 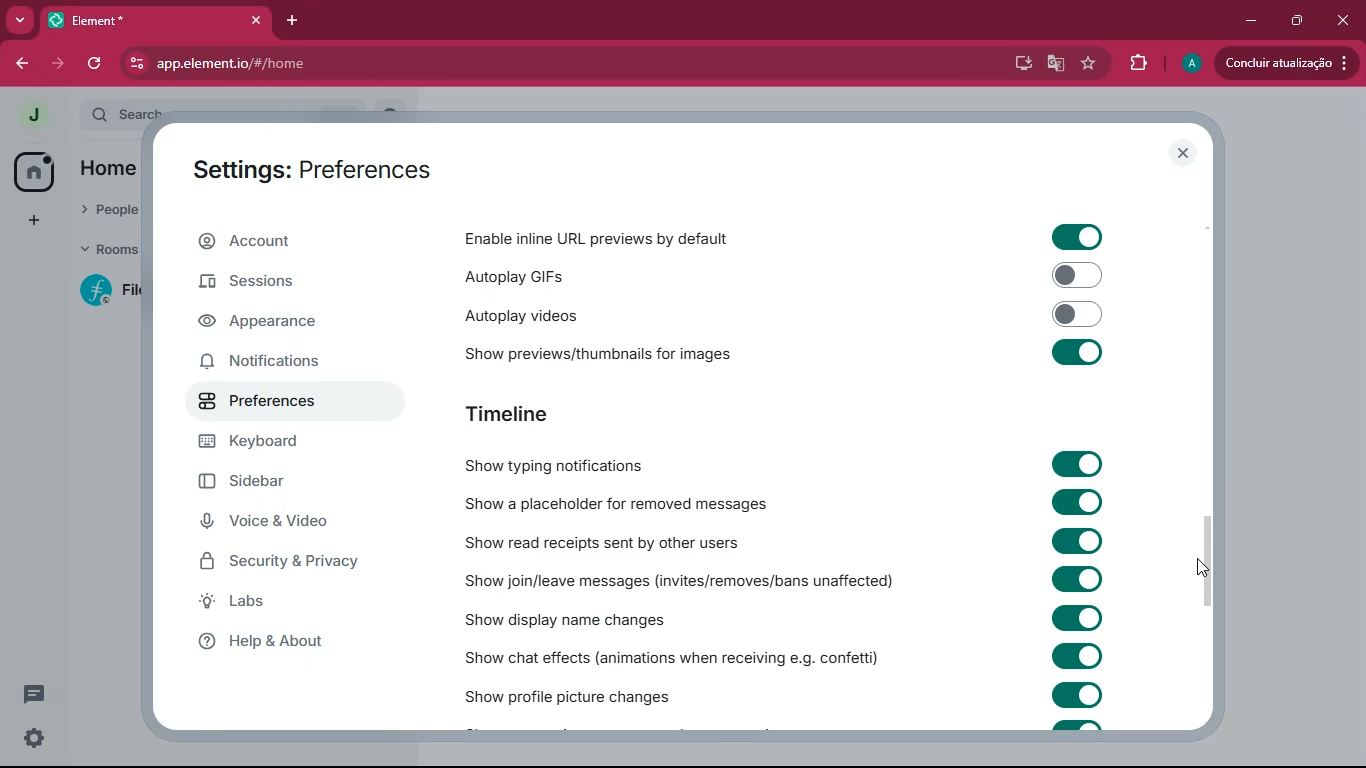 What do you see at coordinates (21, 21) in the screenshot?
I see `more` at bounding box center [21, 21].